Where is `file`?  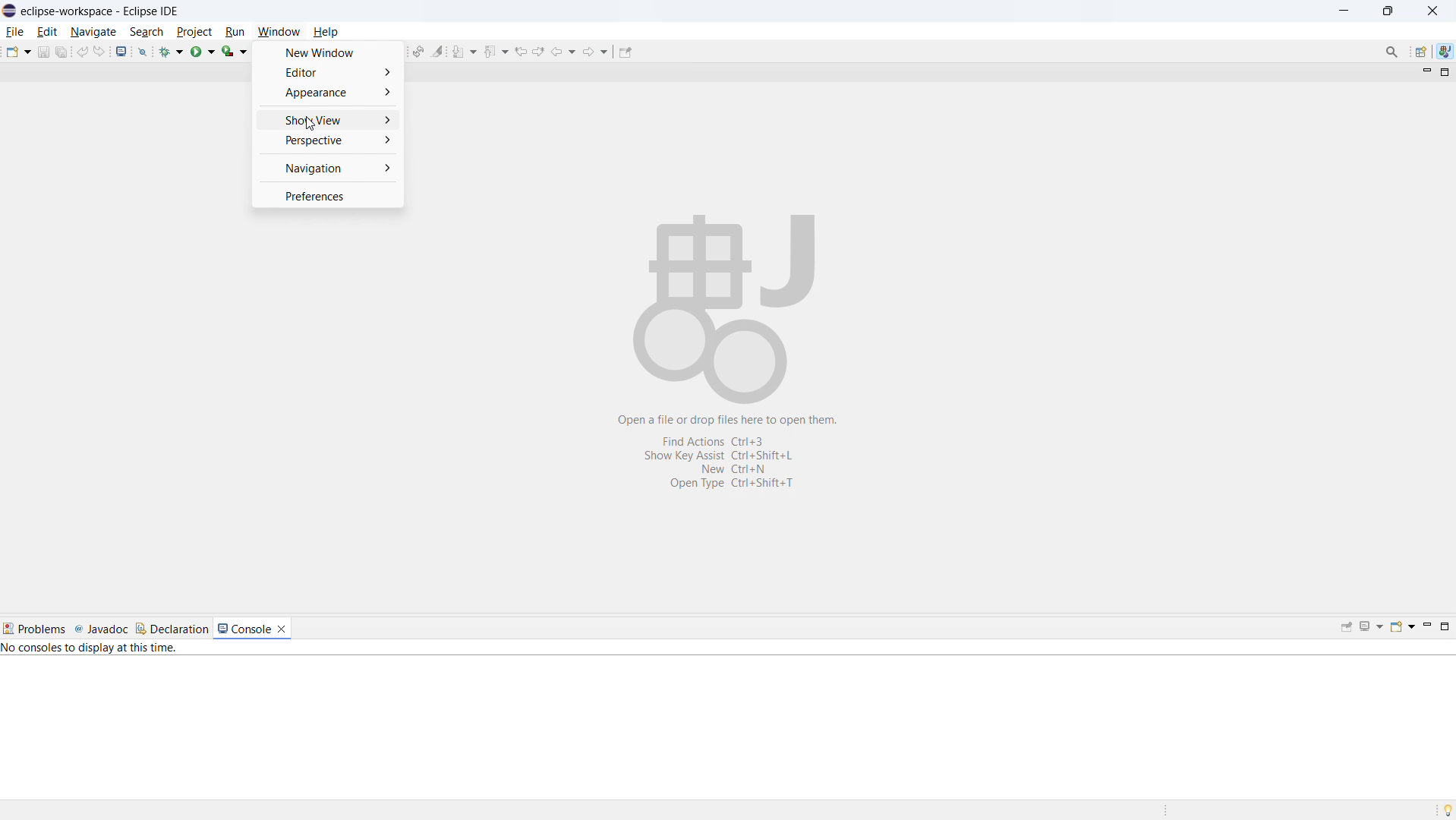 file is located at coordinates (15, 31).